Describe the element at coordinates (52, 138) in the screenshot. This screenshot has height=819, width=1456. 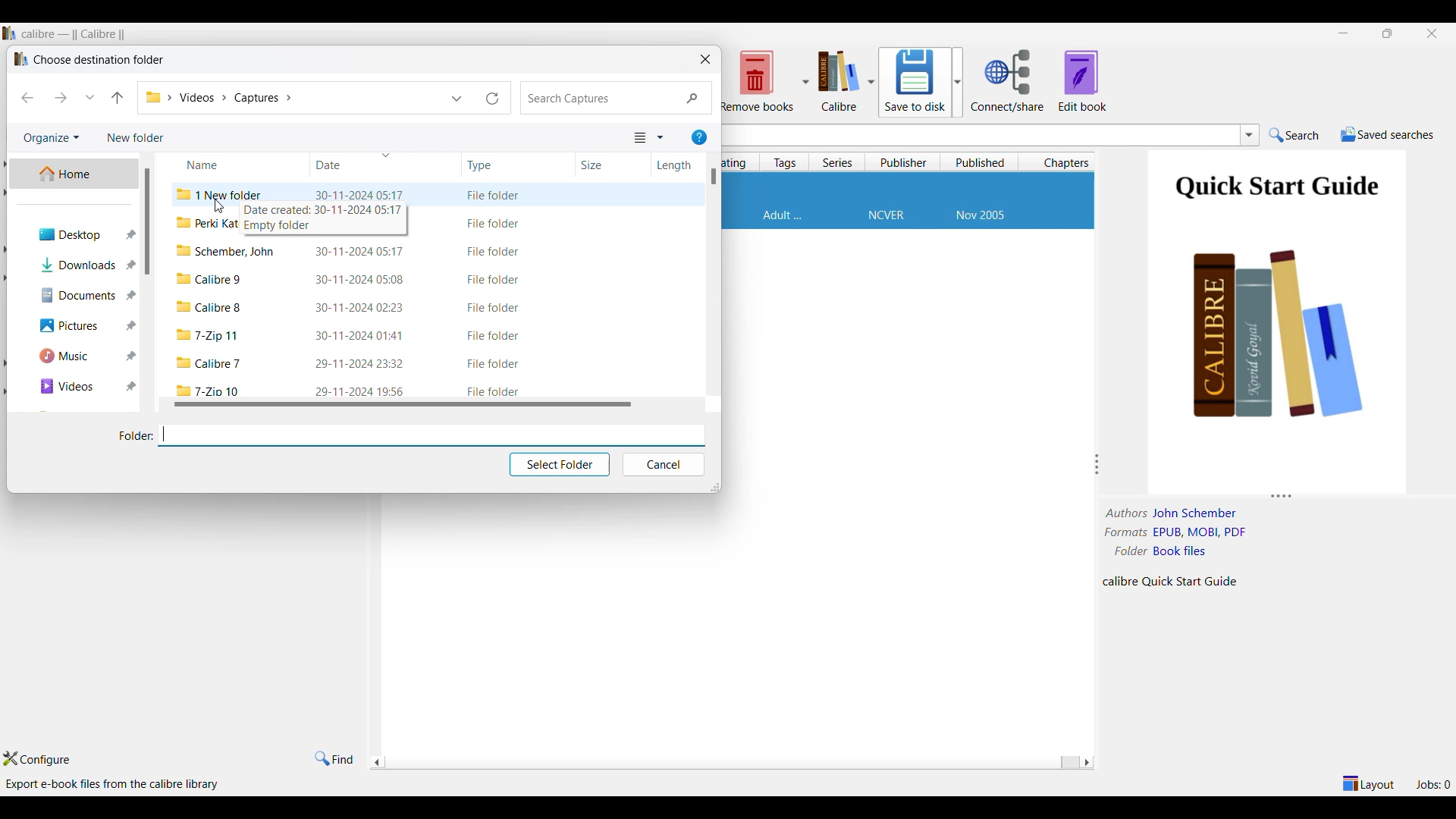
I see `Organize options` at that location.